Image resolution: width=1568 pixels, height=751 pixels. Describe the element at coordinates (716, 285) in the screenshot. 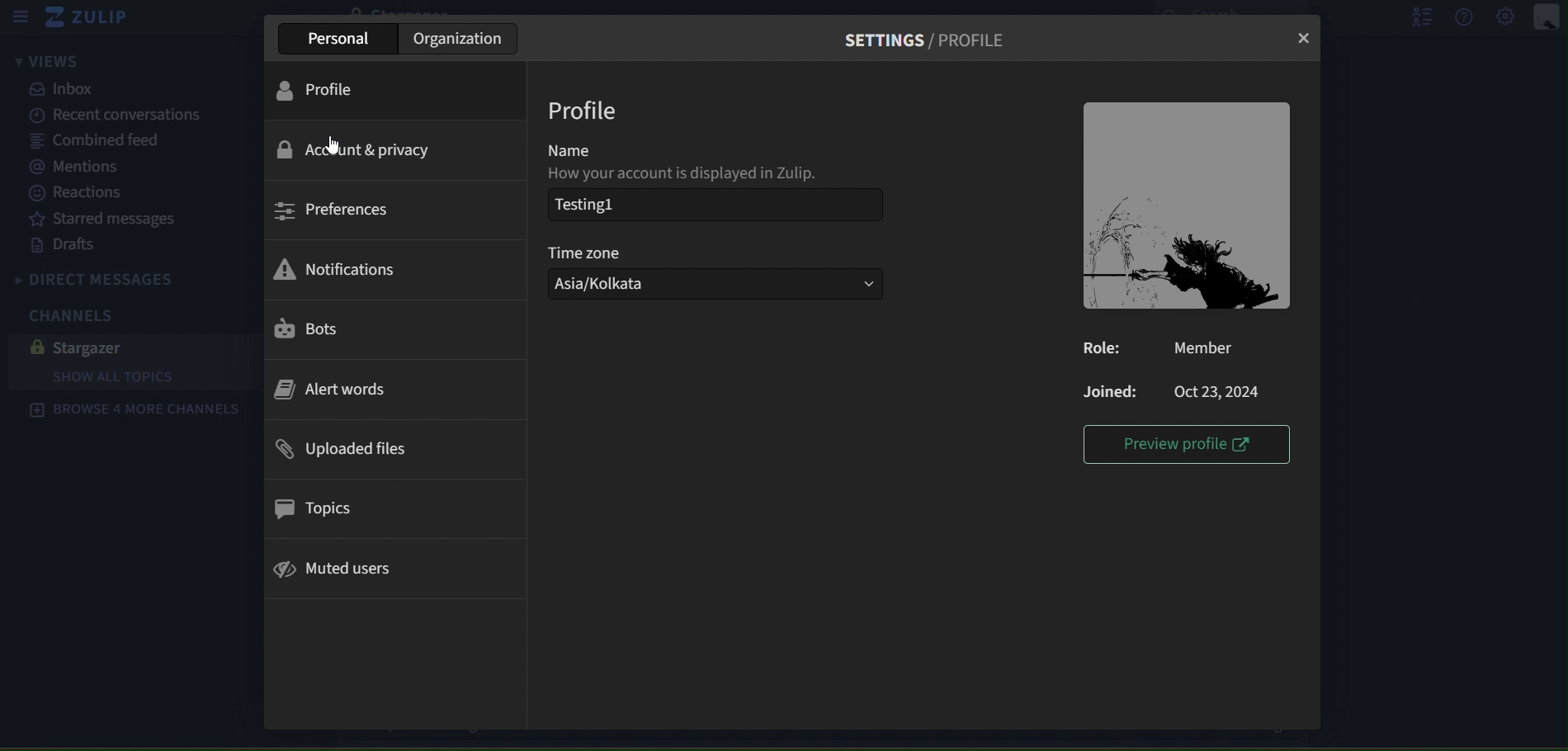

I see `Asia/Kolkata ` at that location.